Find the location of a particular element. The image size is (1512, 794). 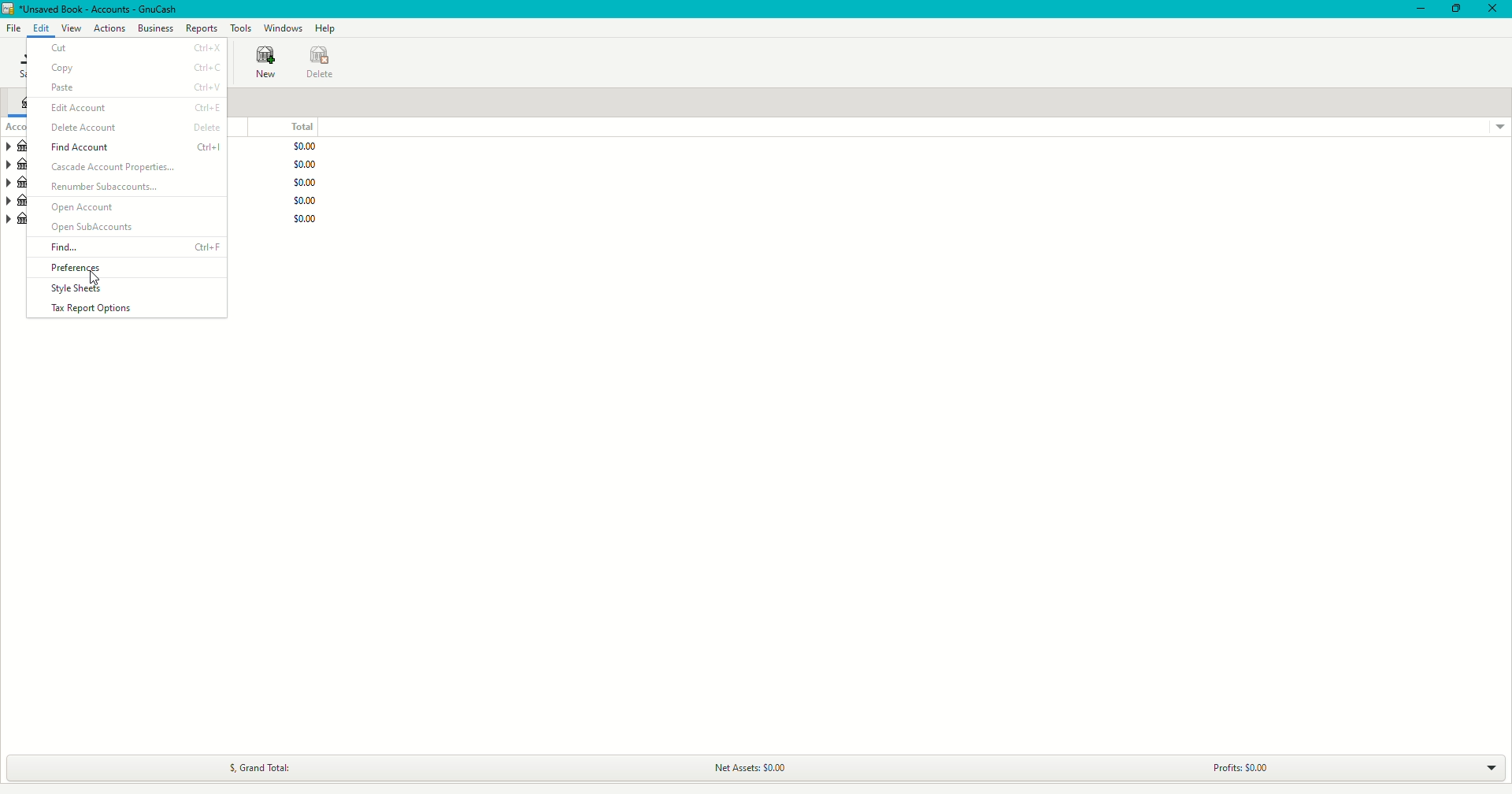

Tax report options is located at coordinates (114, 308).